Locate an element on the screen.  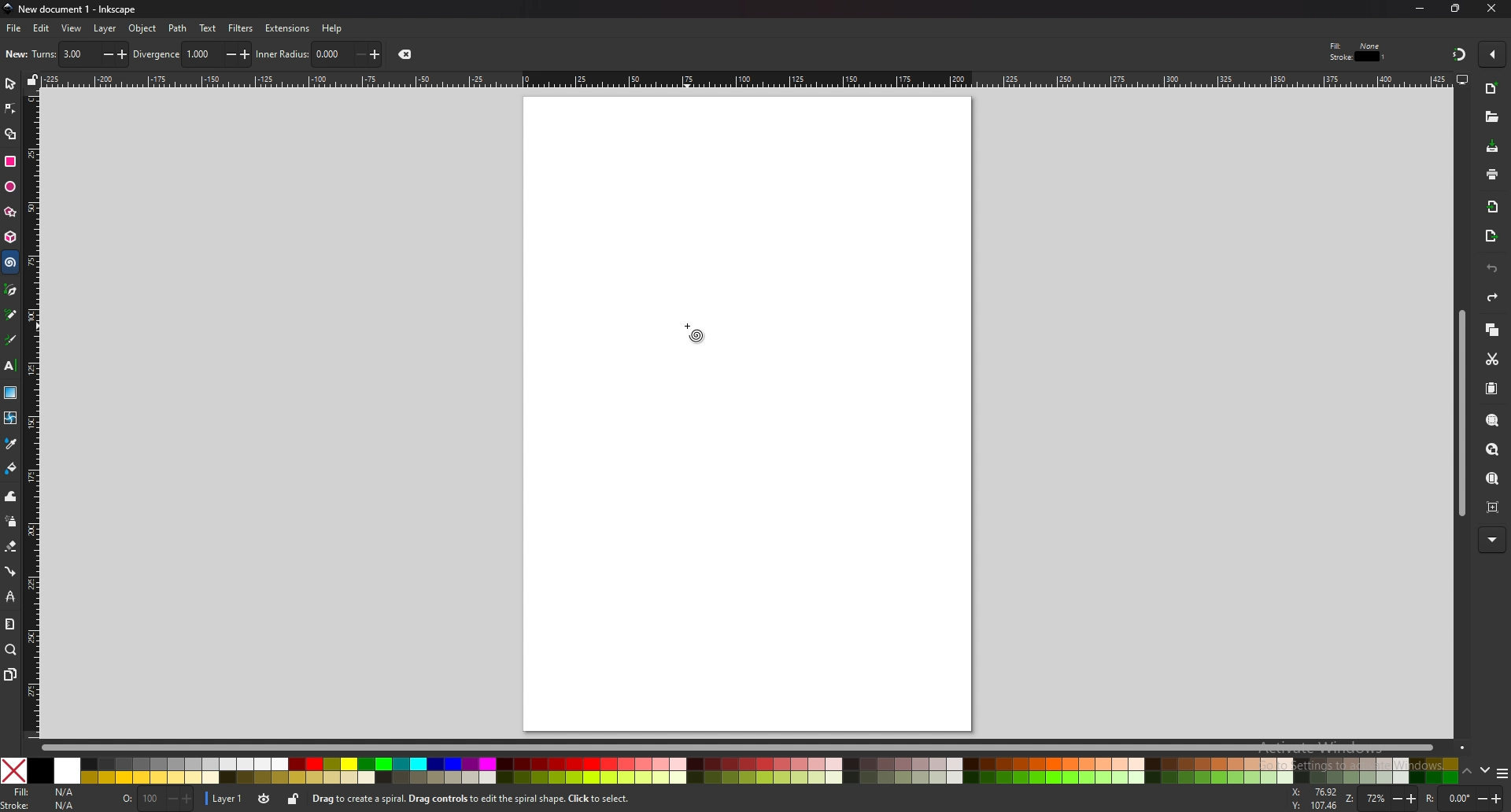
layer 1 is located at coordinates (227, 799).